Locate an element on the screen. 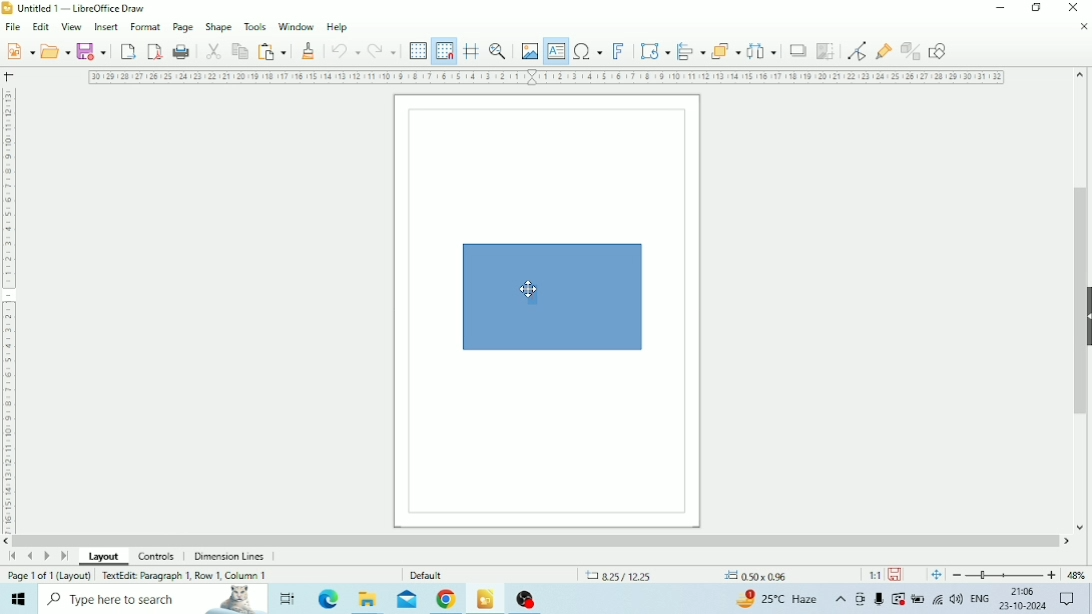  Page 1 of 1 (Layout) is located at coordinates (48, 575).